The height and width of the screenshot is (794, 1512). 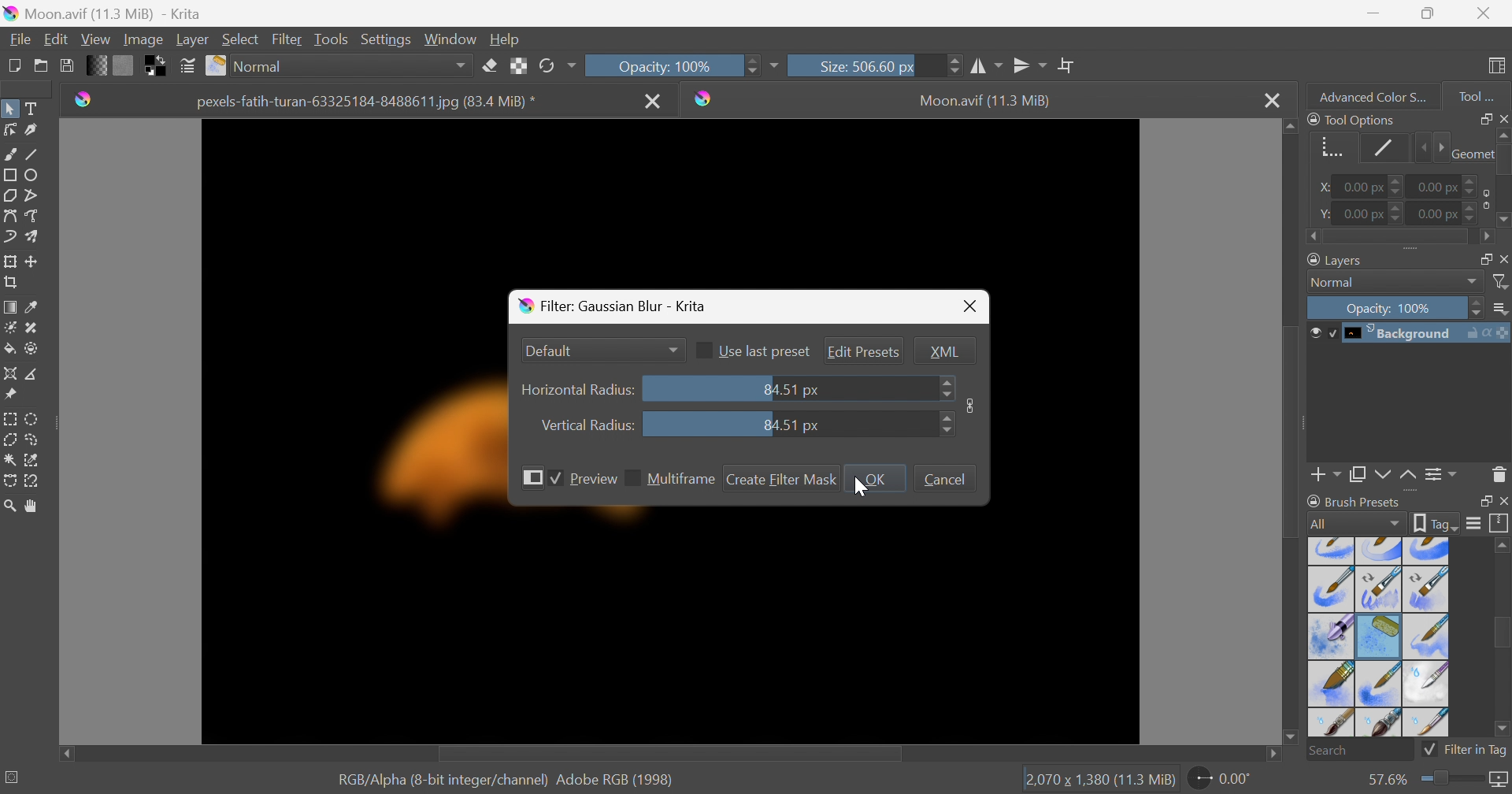 What do you see at coordinates (10, 461) in the screenshot?
I see `Contiguous selection tool` at bounding box center [10, 461].